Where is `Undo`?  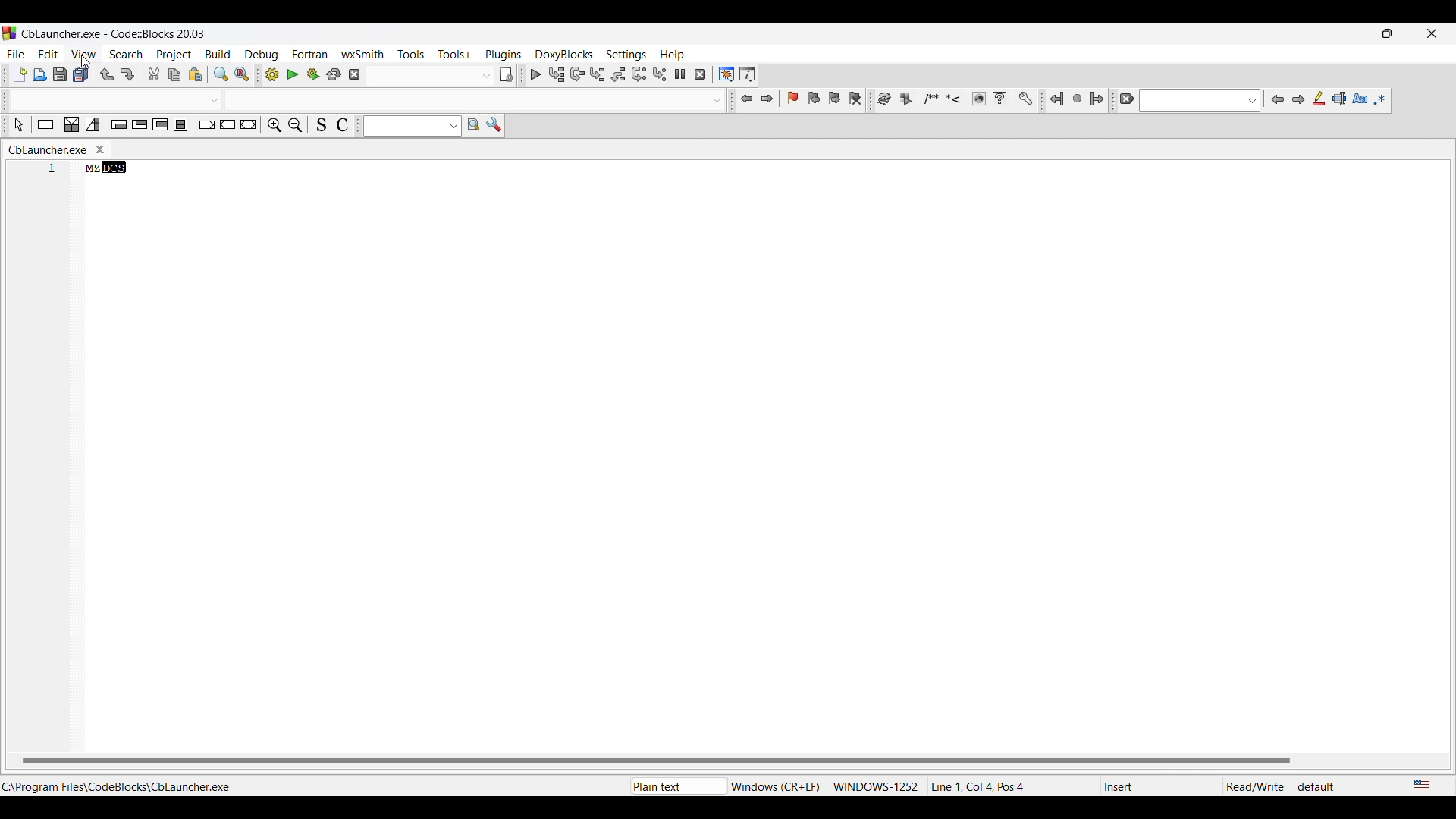 Undo is located at coordinates (107, 74).